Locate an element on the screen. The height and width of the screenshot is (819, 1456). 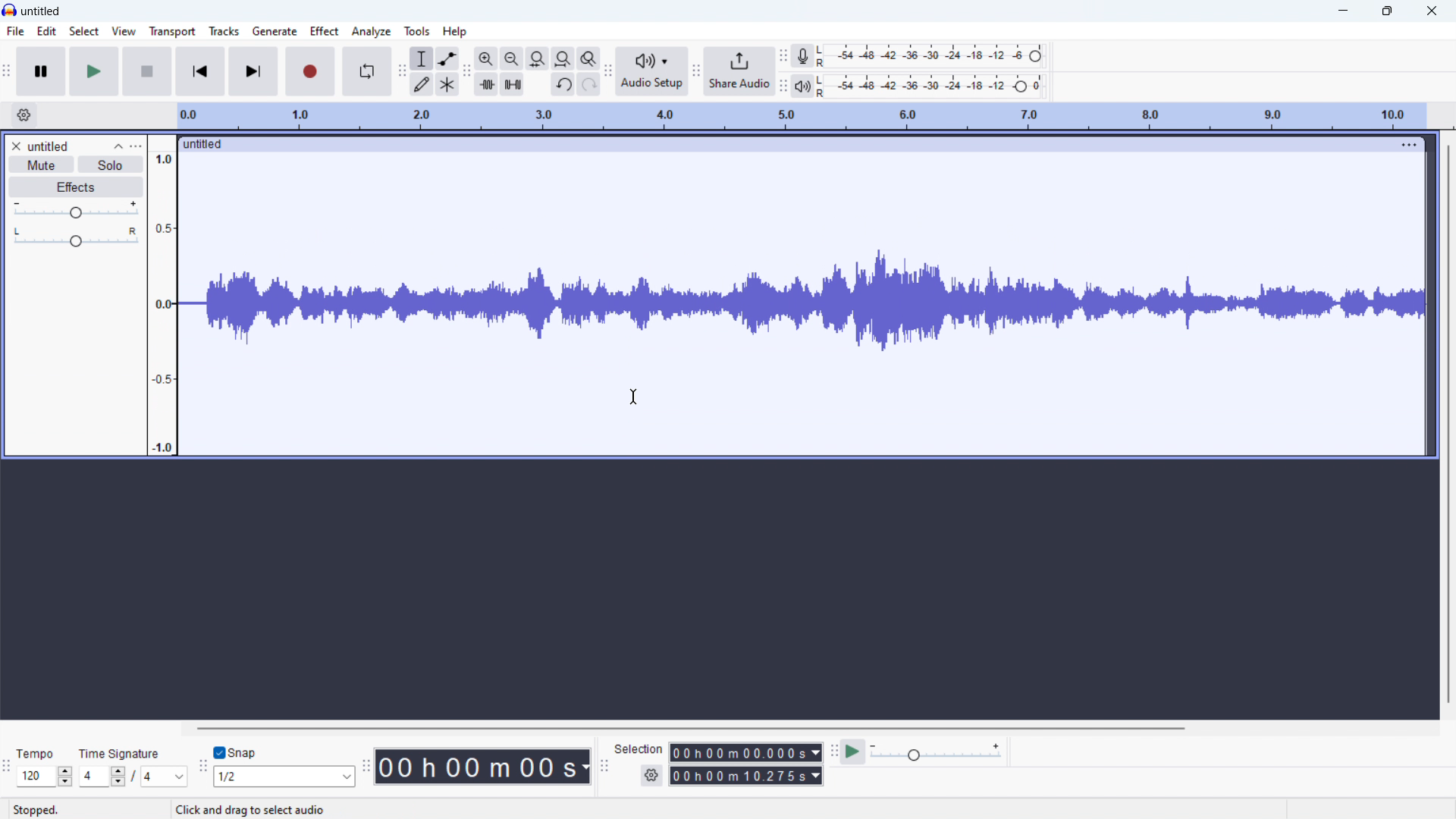
vertical scrollbar is located at coordinates (1449, 424).